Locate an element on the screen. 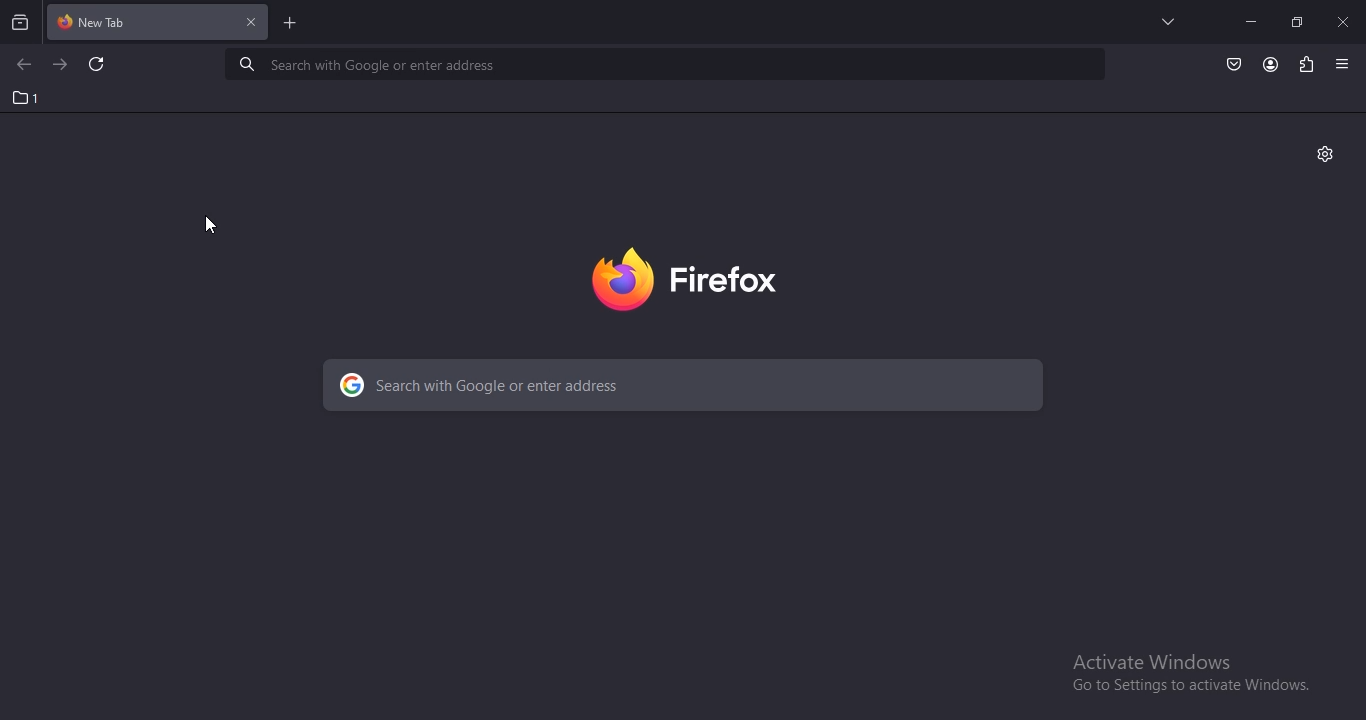 The height and width of the screenshot is (720, 1366). refresh is located at coordinates (98, 66).